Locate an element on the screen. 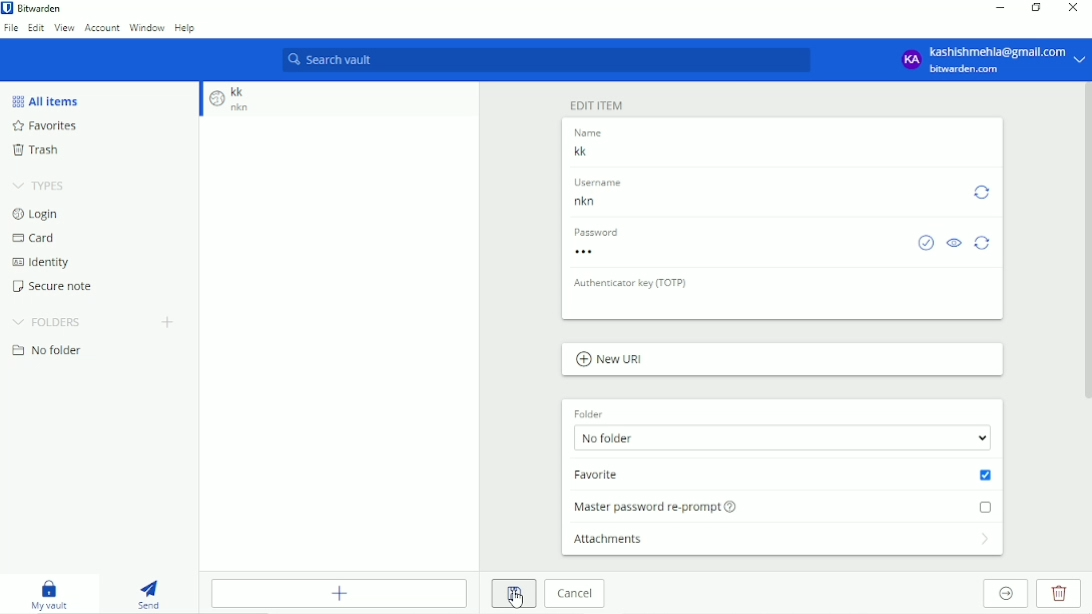 The height and width of the screenshot is (614, 1092). Check if password has been exposed is located at coordinates (926, 242).